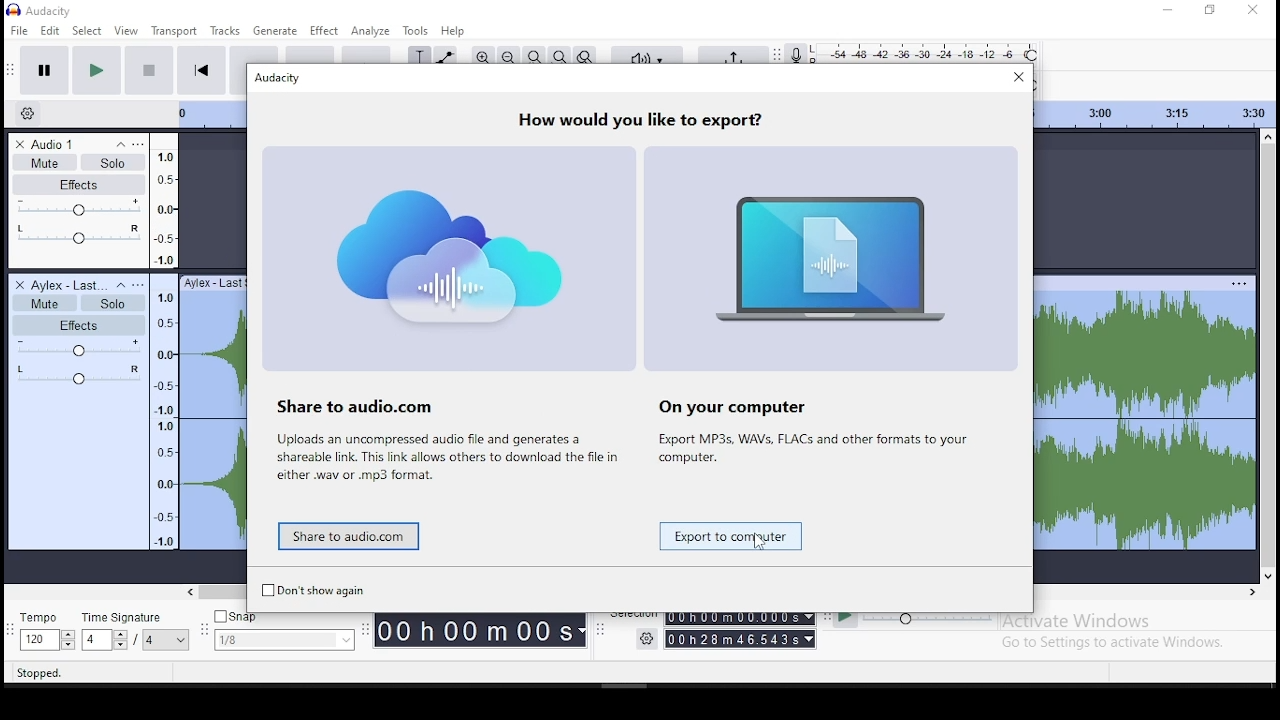  Describe the element at coordinates (70, 144) in the screenshot. I see `audio track name` at that location.